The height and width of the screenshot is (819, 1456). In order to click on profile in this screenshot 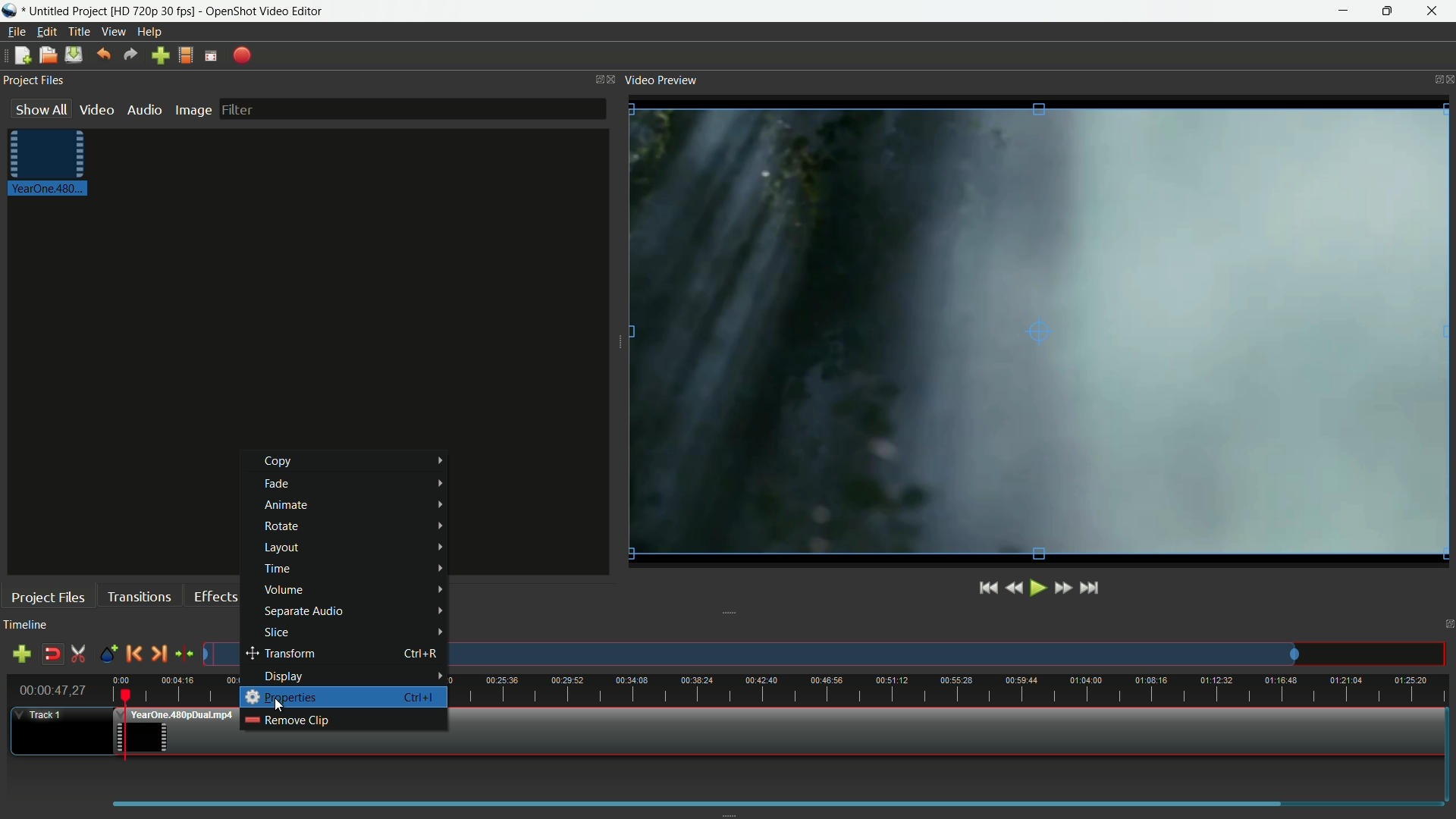, I will do `click(184, 55)`.